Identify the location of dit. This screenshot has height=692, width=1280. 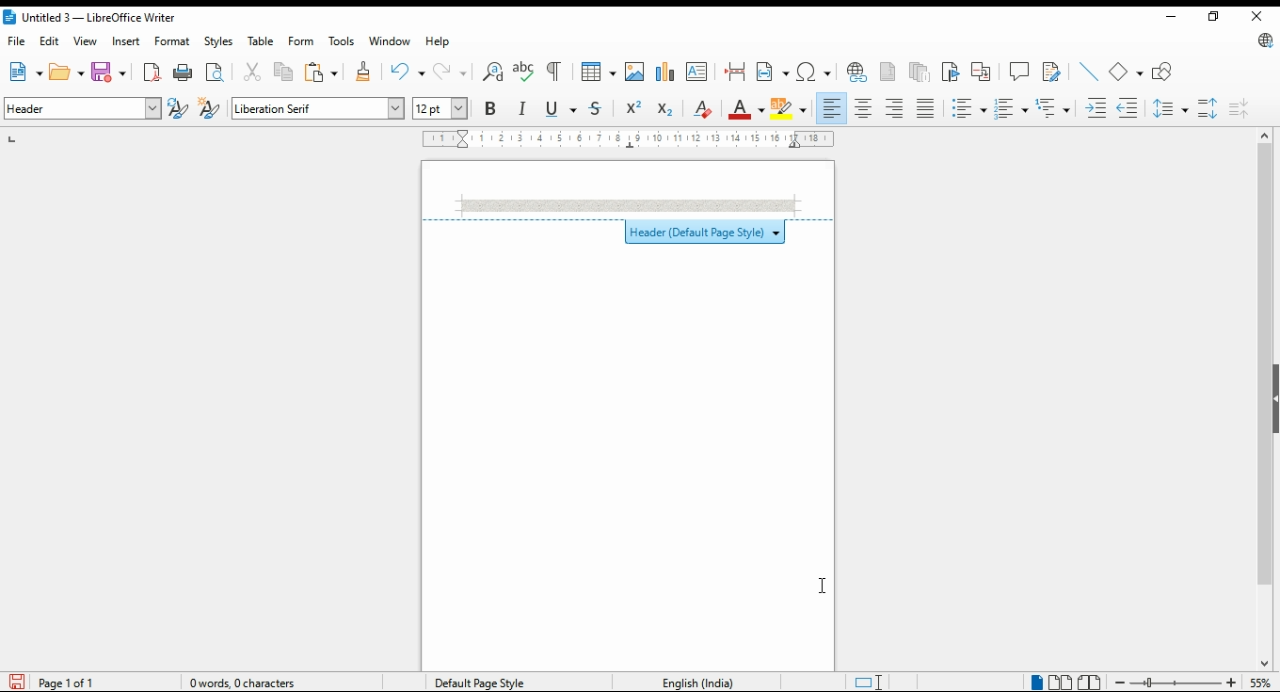
(51, 41).